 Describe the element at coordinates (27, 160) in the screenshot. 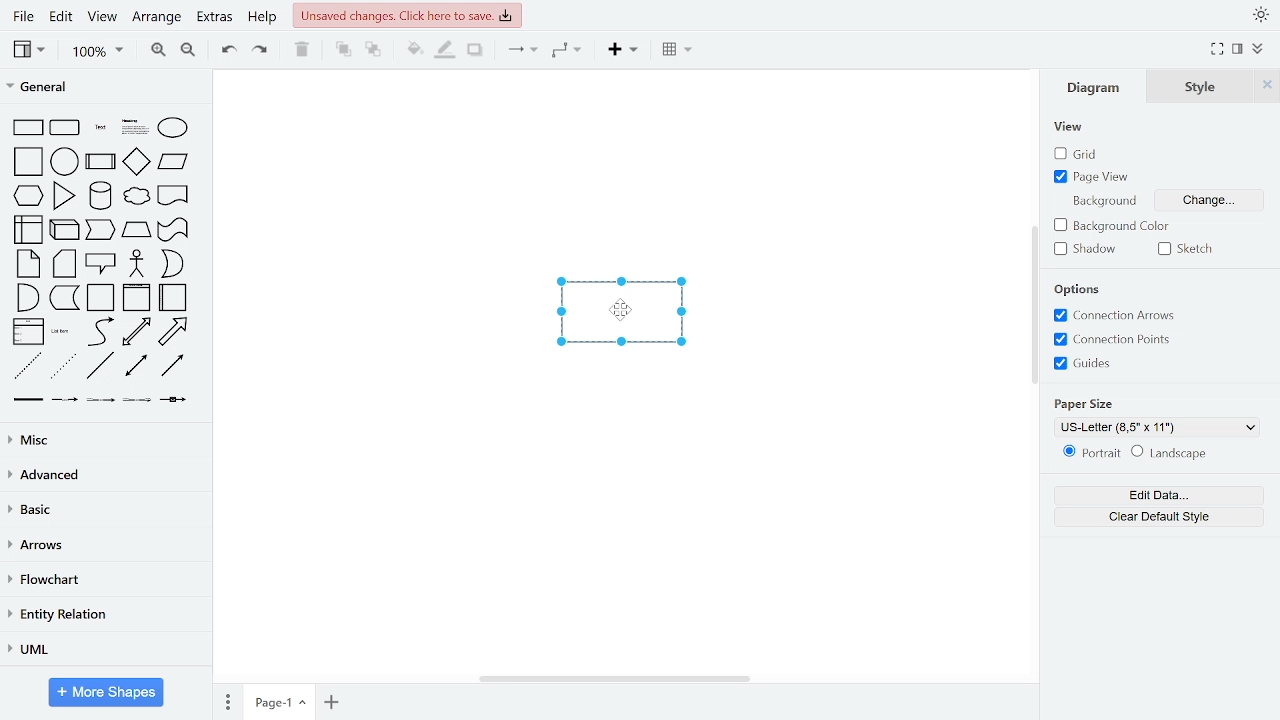

I see `general shapes` at that location.